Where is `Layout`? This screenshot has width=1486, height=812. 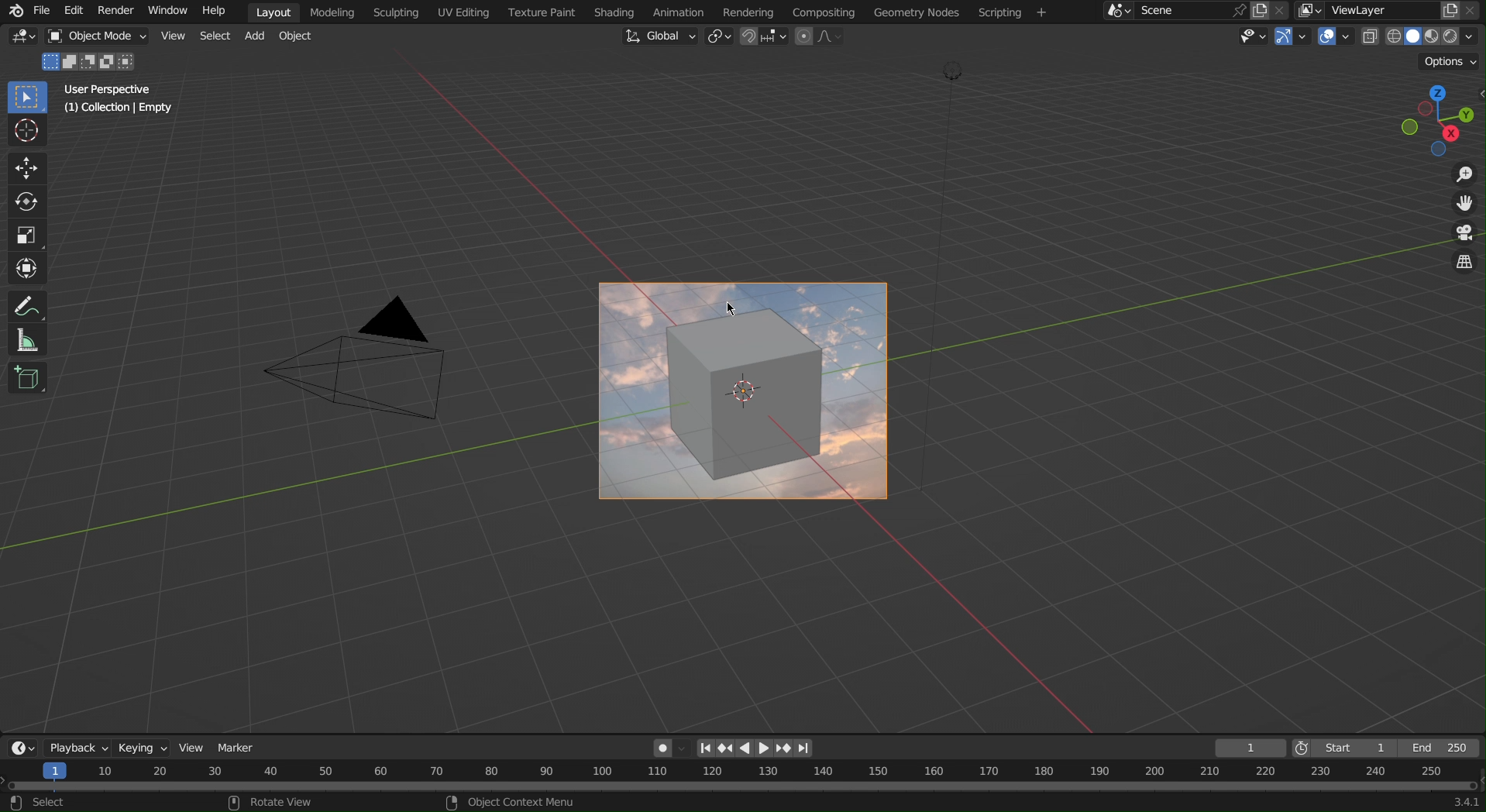 Layout is located at coordinates (274, 10).